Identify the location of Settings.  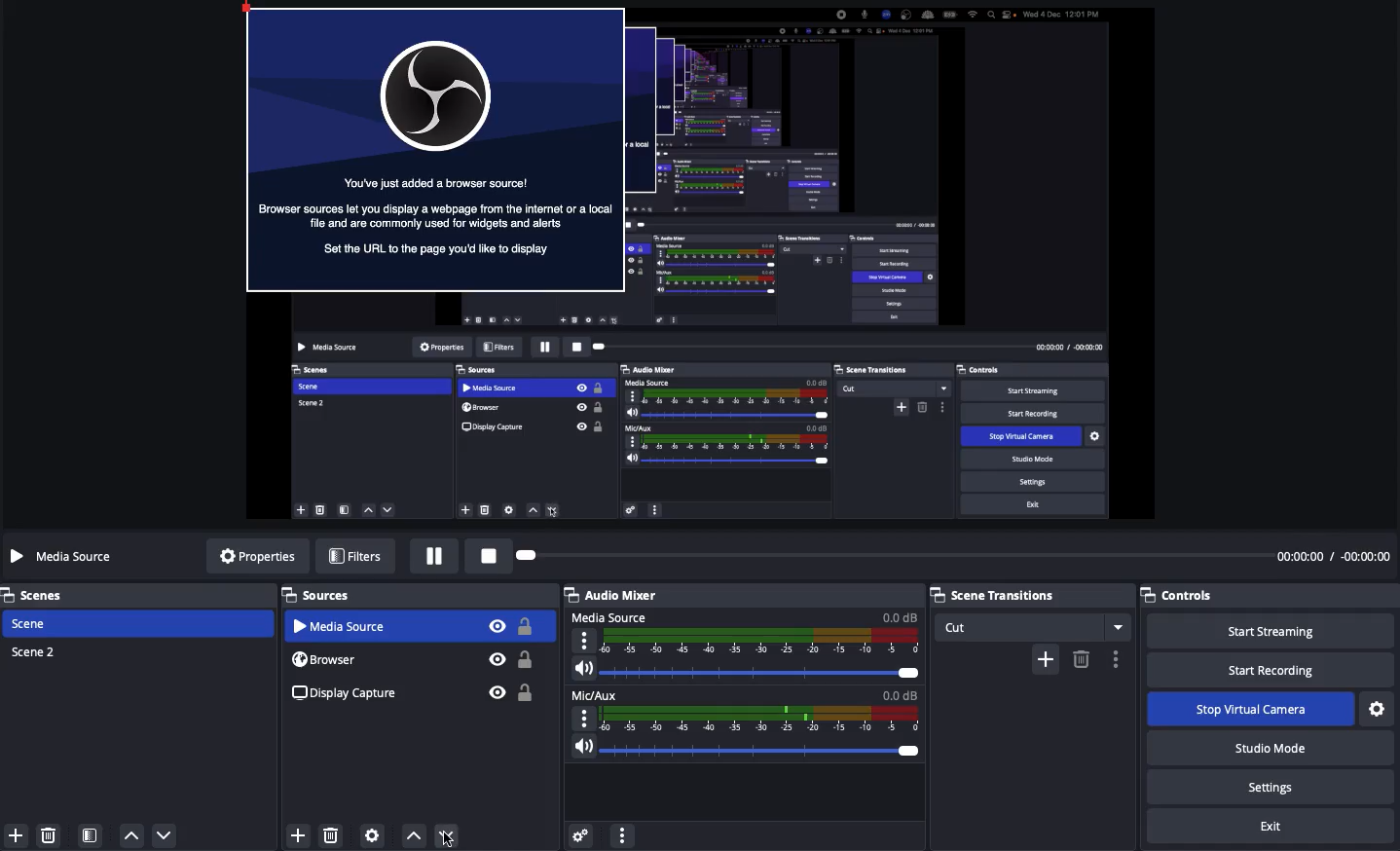
(1270, 788).